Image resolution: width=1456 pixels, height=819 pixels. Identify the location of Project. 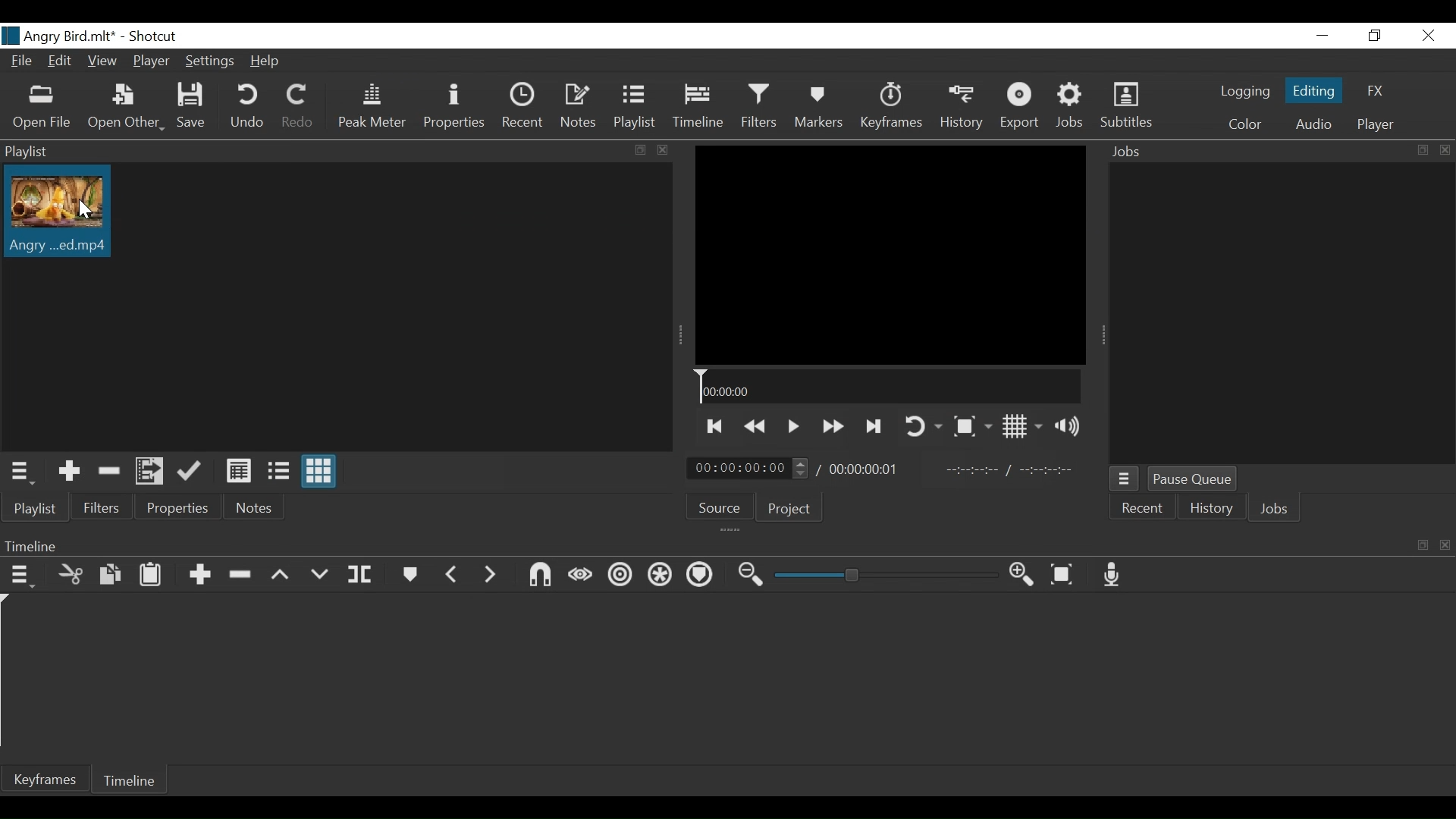
(789, 509).